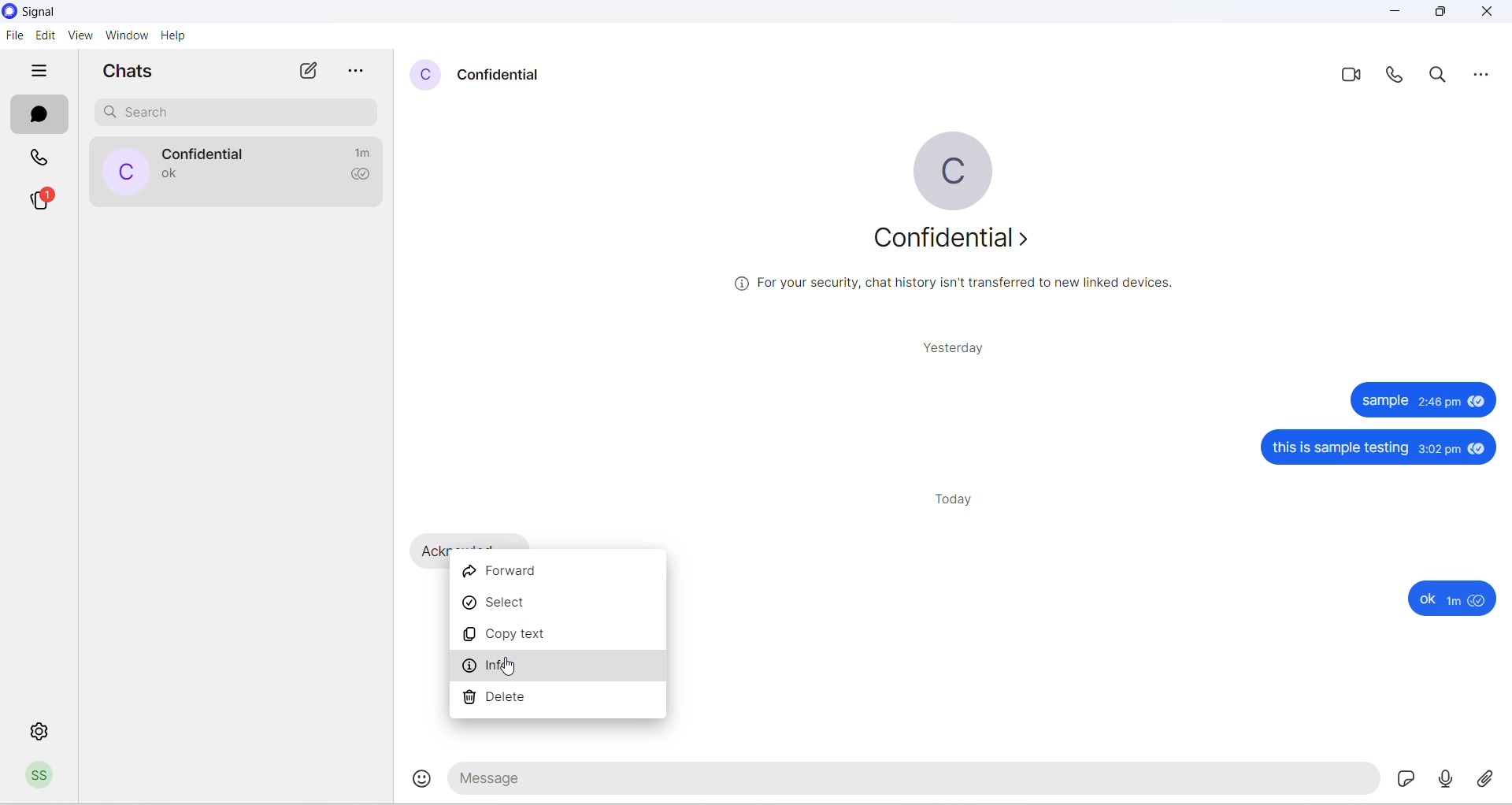  Describe the element at coordinates (361, 174) in the screenshot. I see `read recipient` at that location.